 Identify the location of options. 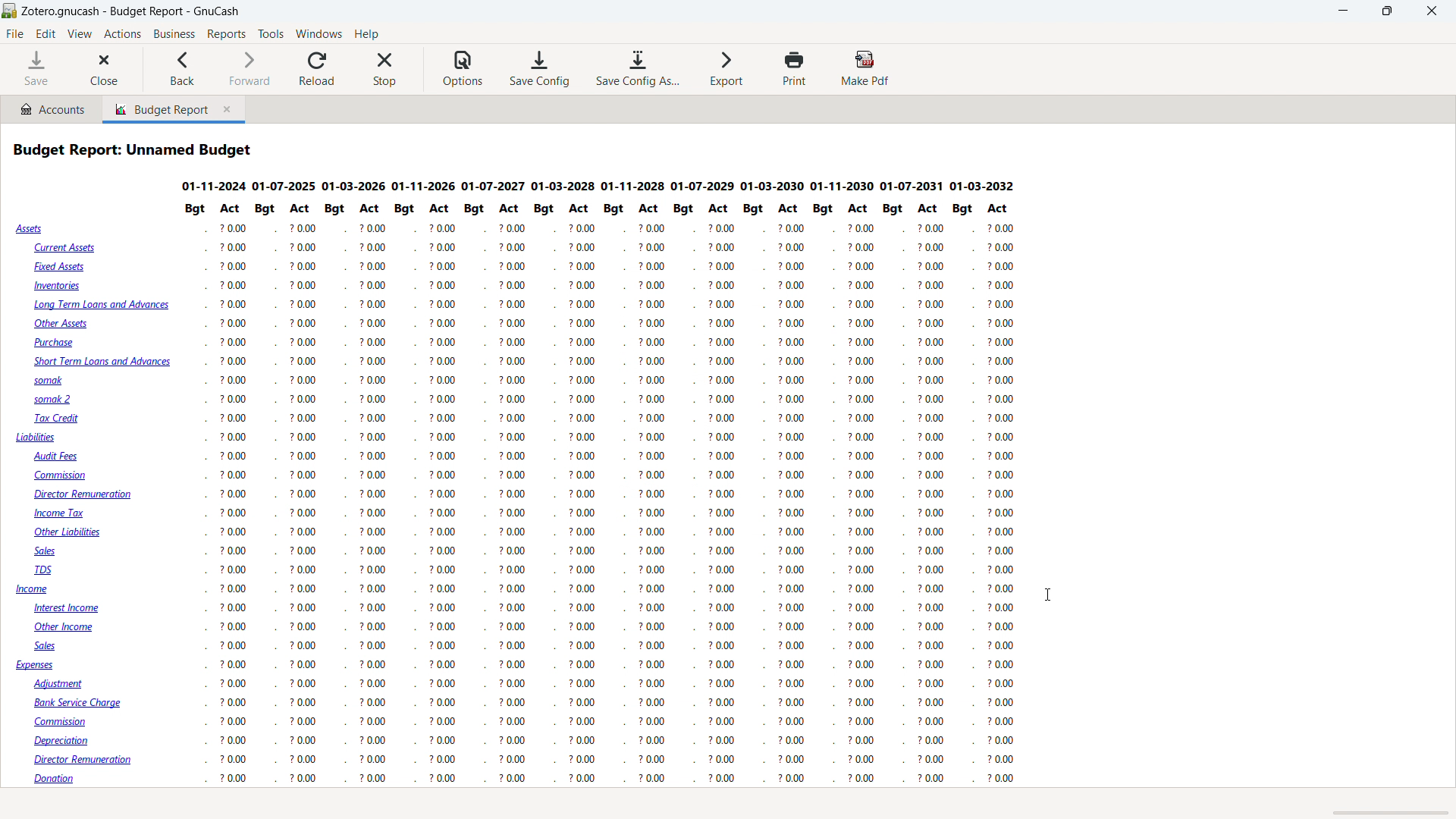
(463, 70).